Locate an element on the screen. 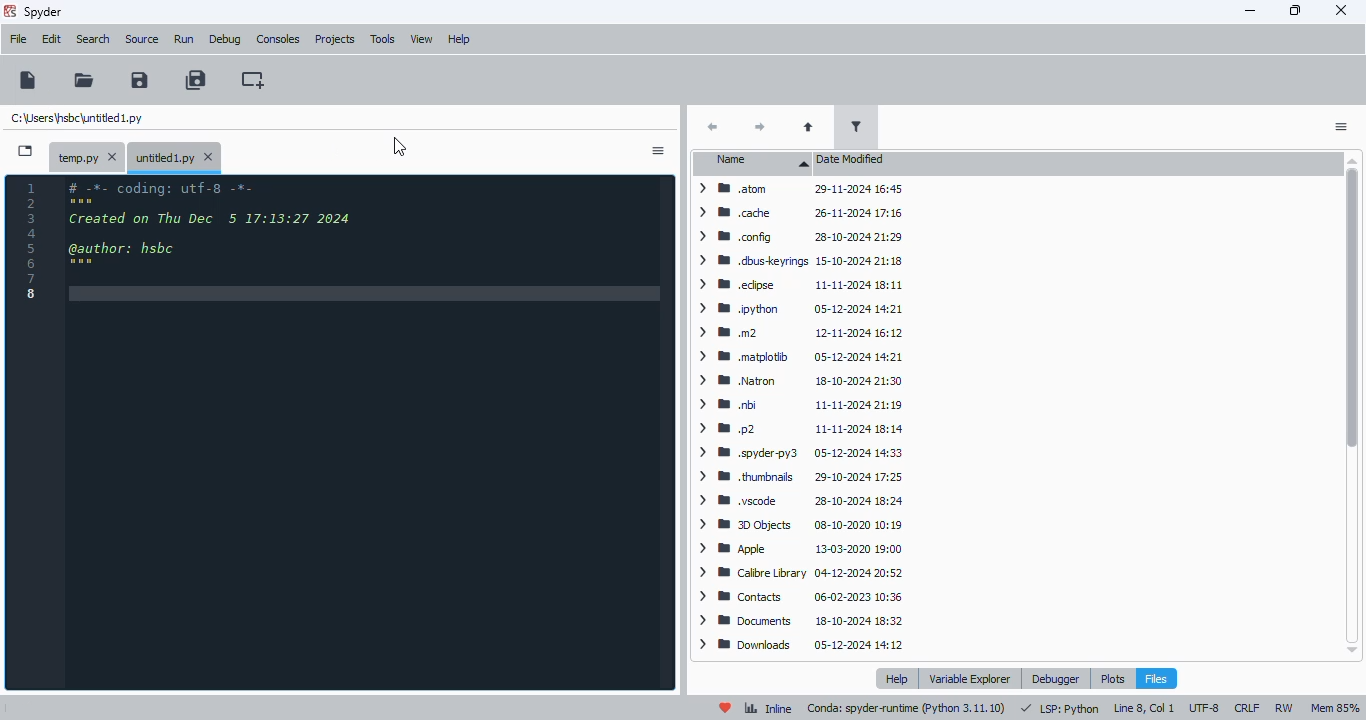  > WM python 05-12-2024 14:21 is located at coordinates (801, 310).